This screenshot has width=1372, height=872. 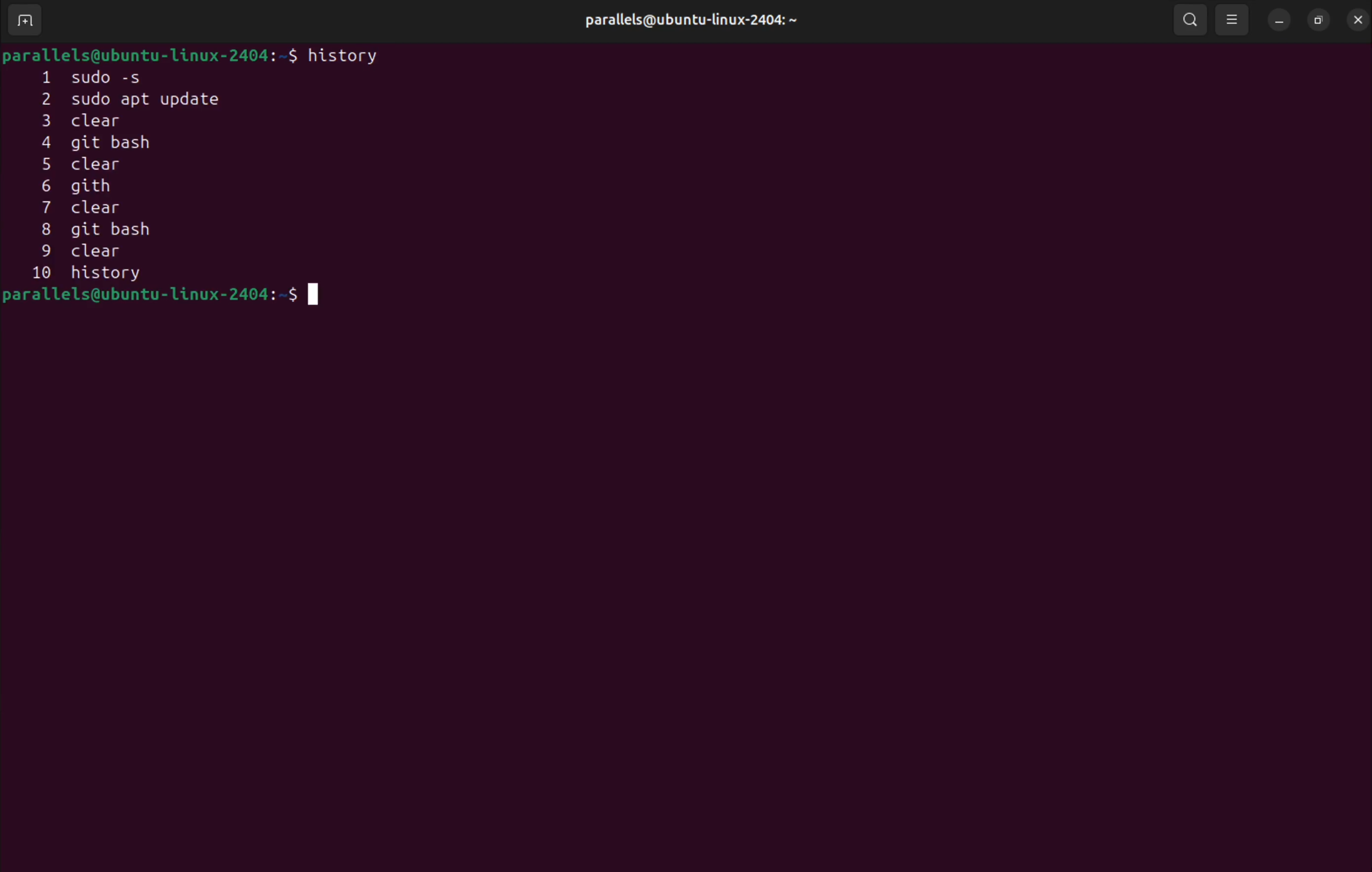 What do you see at coordinates (98, 206) in the screenshot?
I see `7.clear` at bounding box center [98, 206].